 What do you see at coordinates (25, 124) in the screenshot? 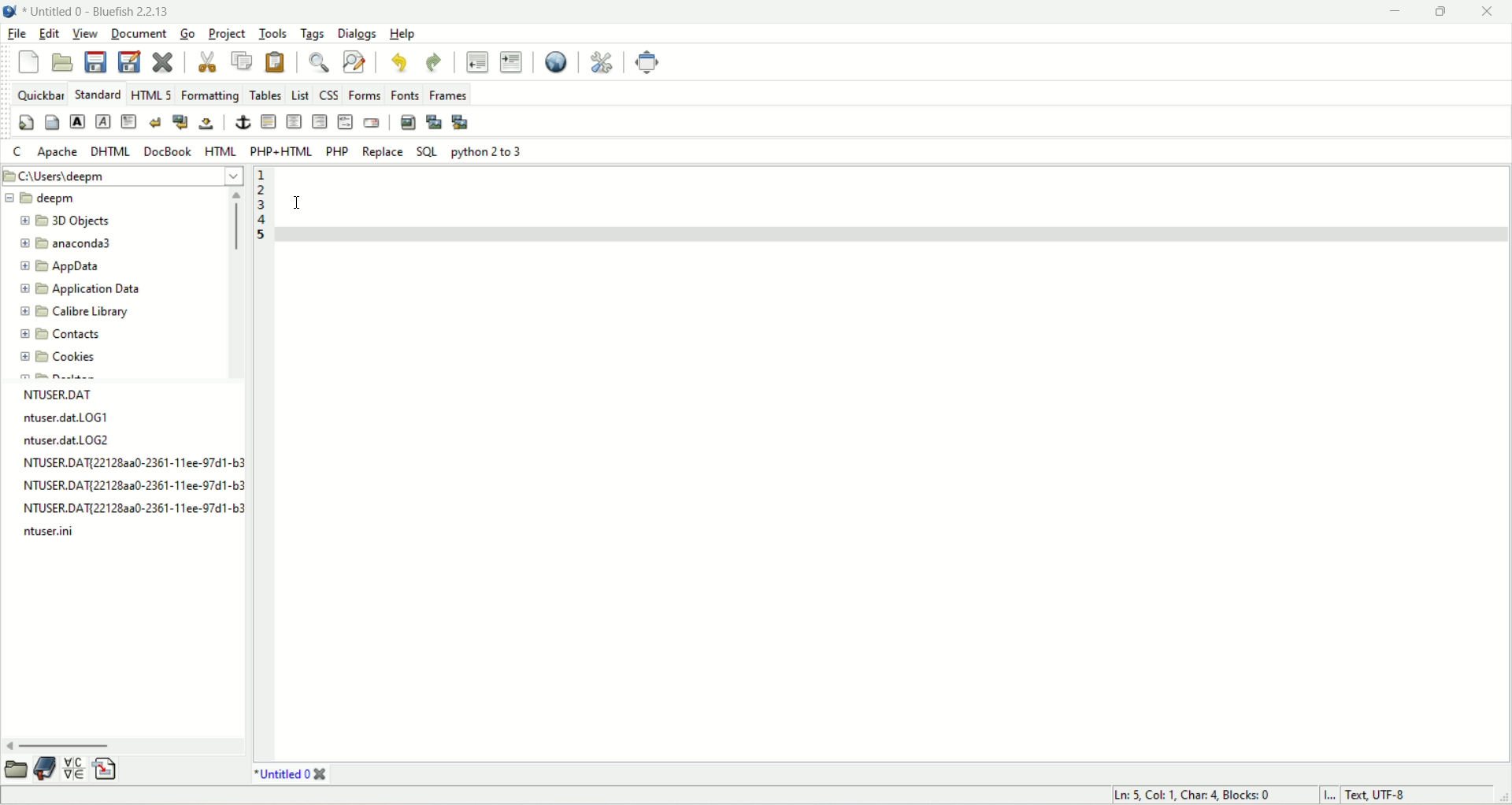
I see `quickstart` at bounding box center [25, 124].